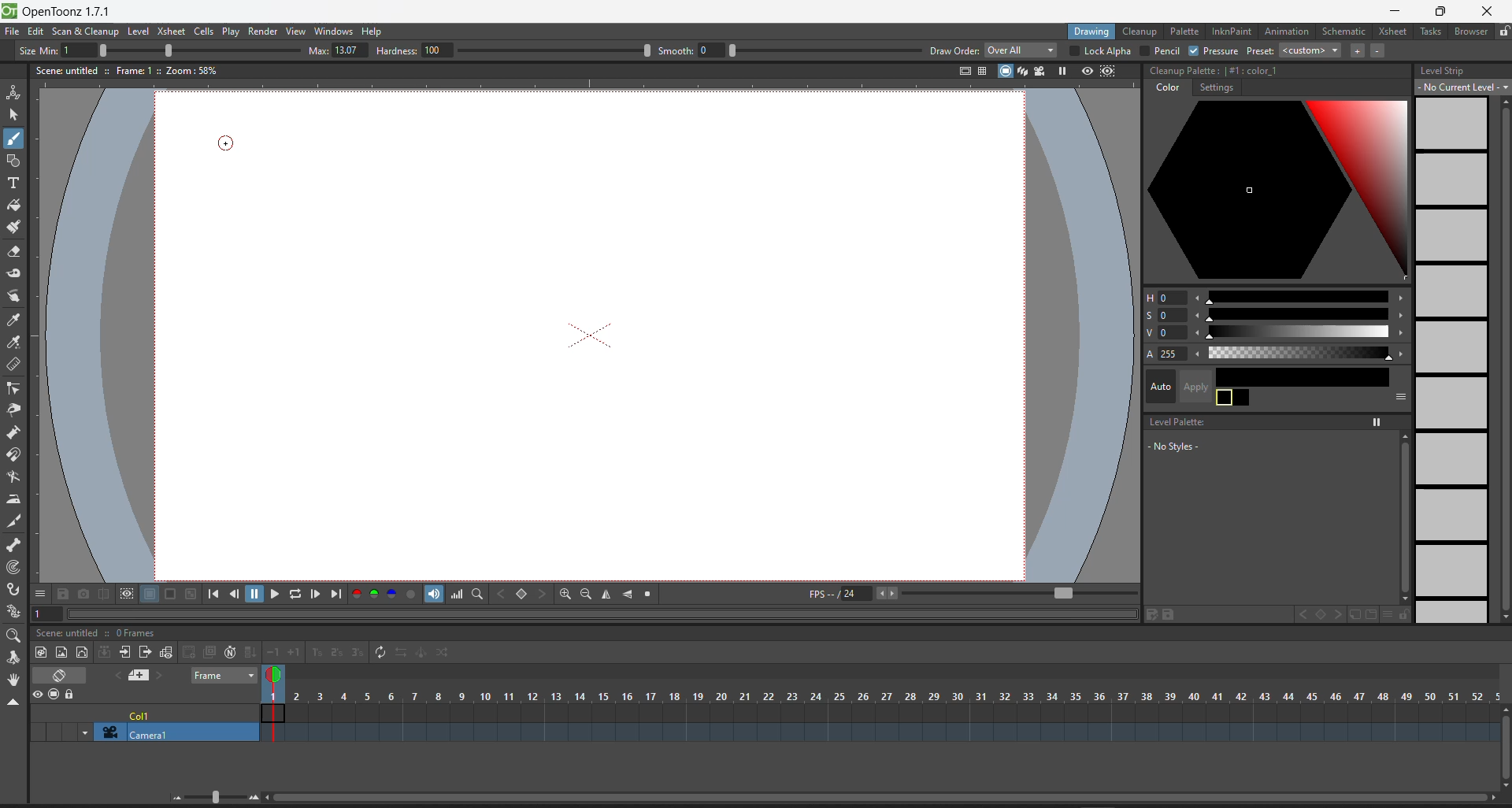  What do you see at coordinates (1214, 51) in the screenshot?
I see `pressure` at bounding box center [1214, 51].